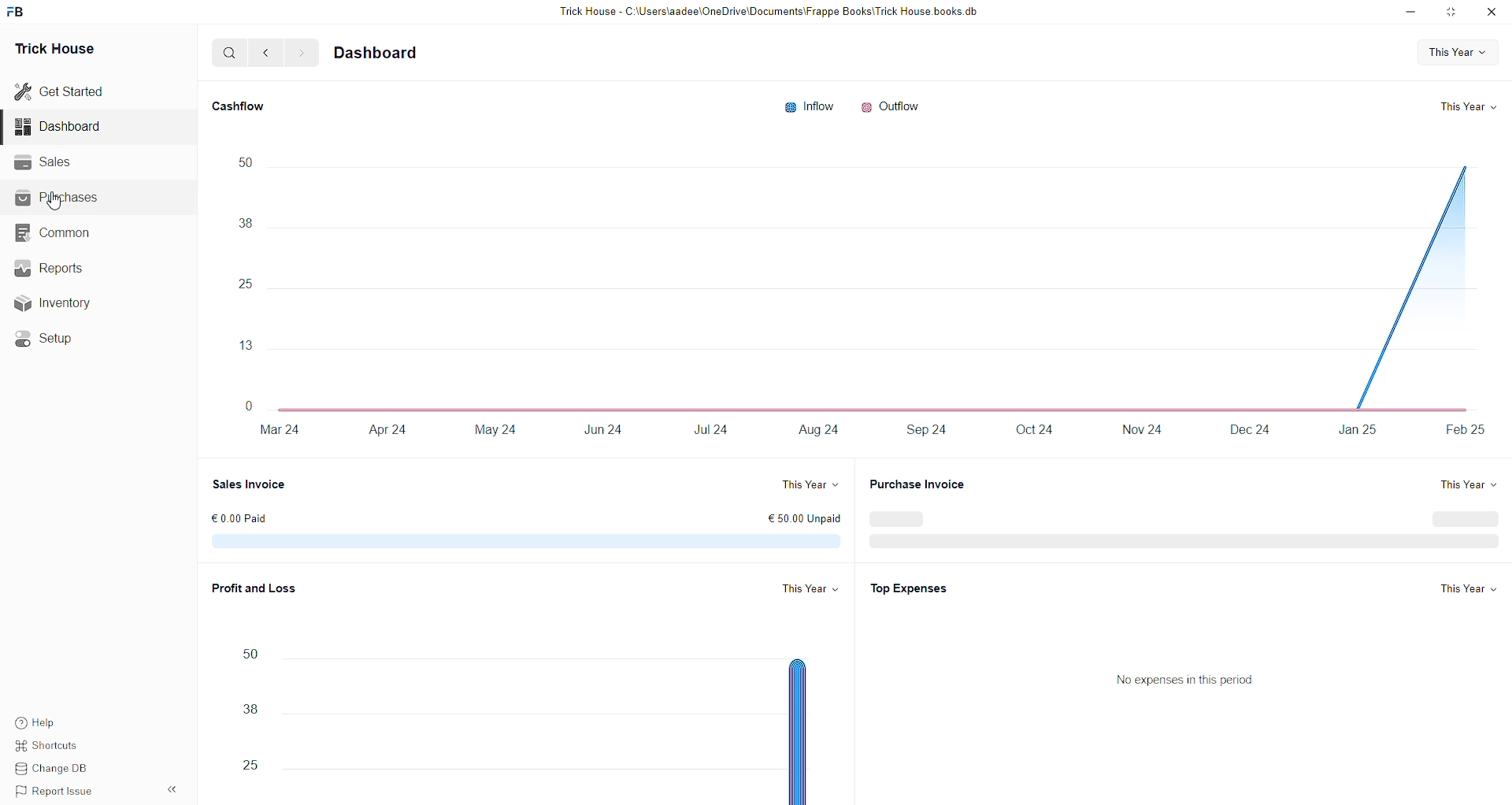  I want to click on Report Issue, so click(51, 789).